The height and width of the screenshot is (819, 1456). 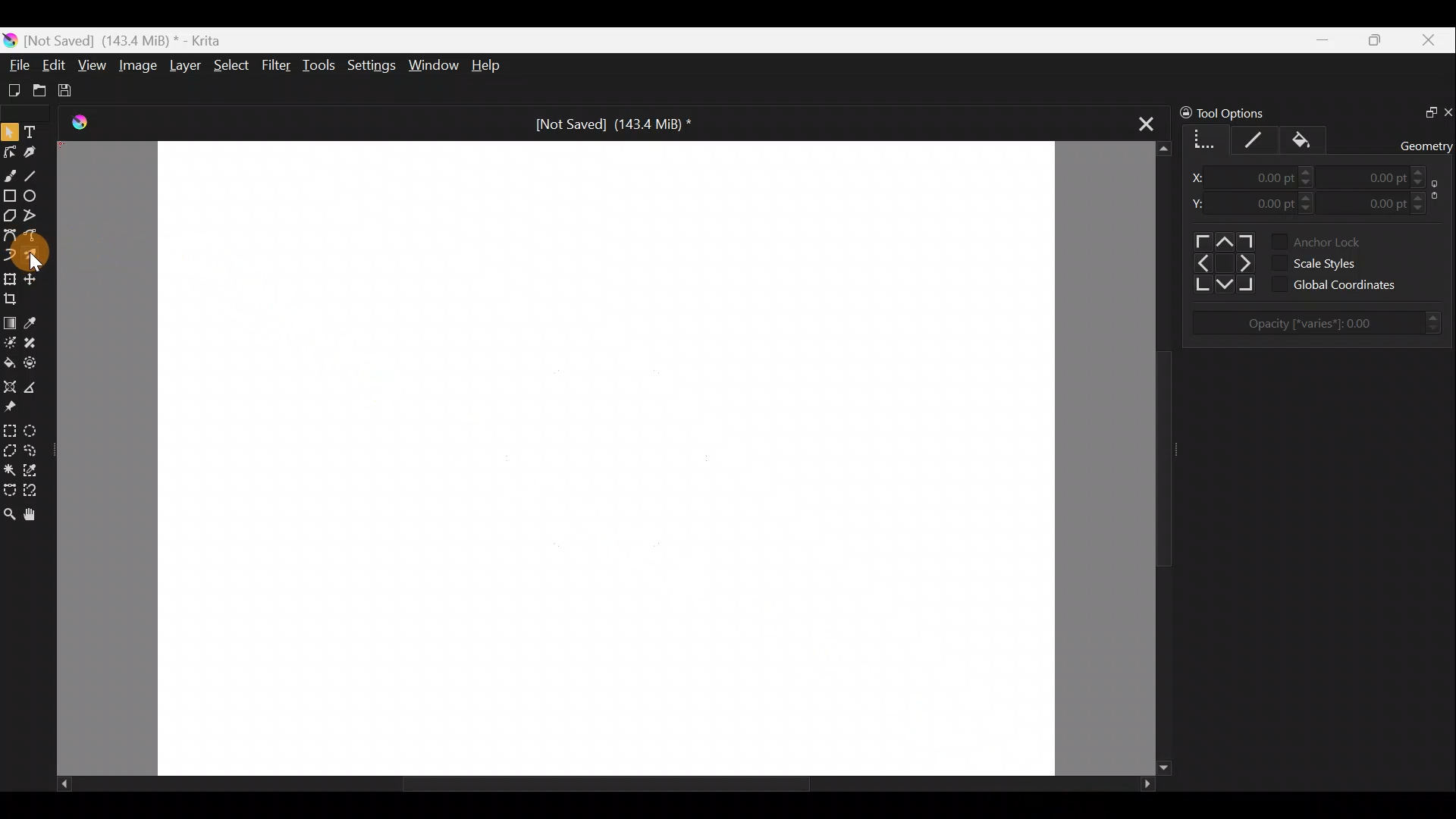 I want to click on Canvas, so click(x=604, y=454).